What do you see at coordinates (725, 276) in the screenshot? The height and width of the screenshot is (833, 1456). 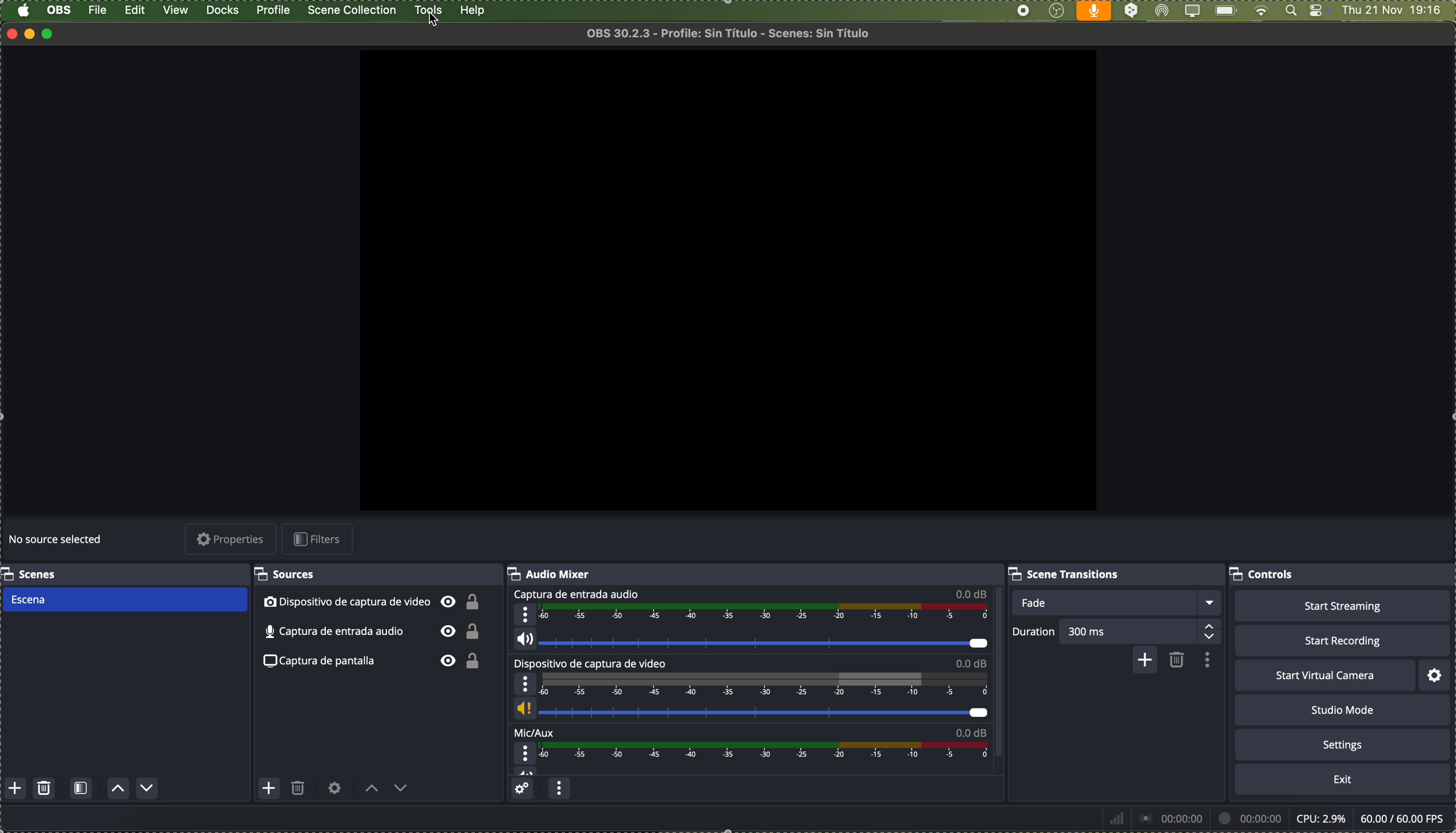 I see `workspace` at bounding box center [725, 276].